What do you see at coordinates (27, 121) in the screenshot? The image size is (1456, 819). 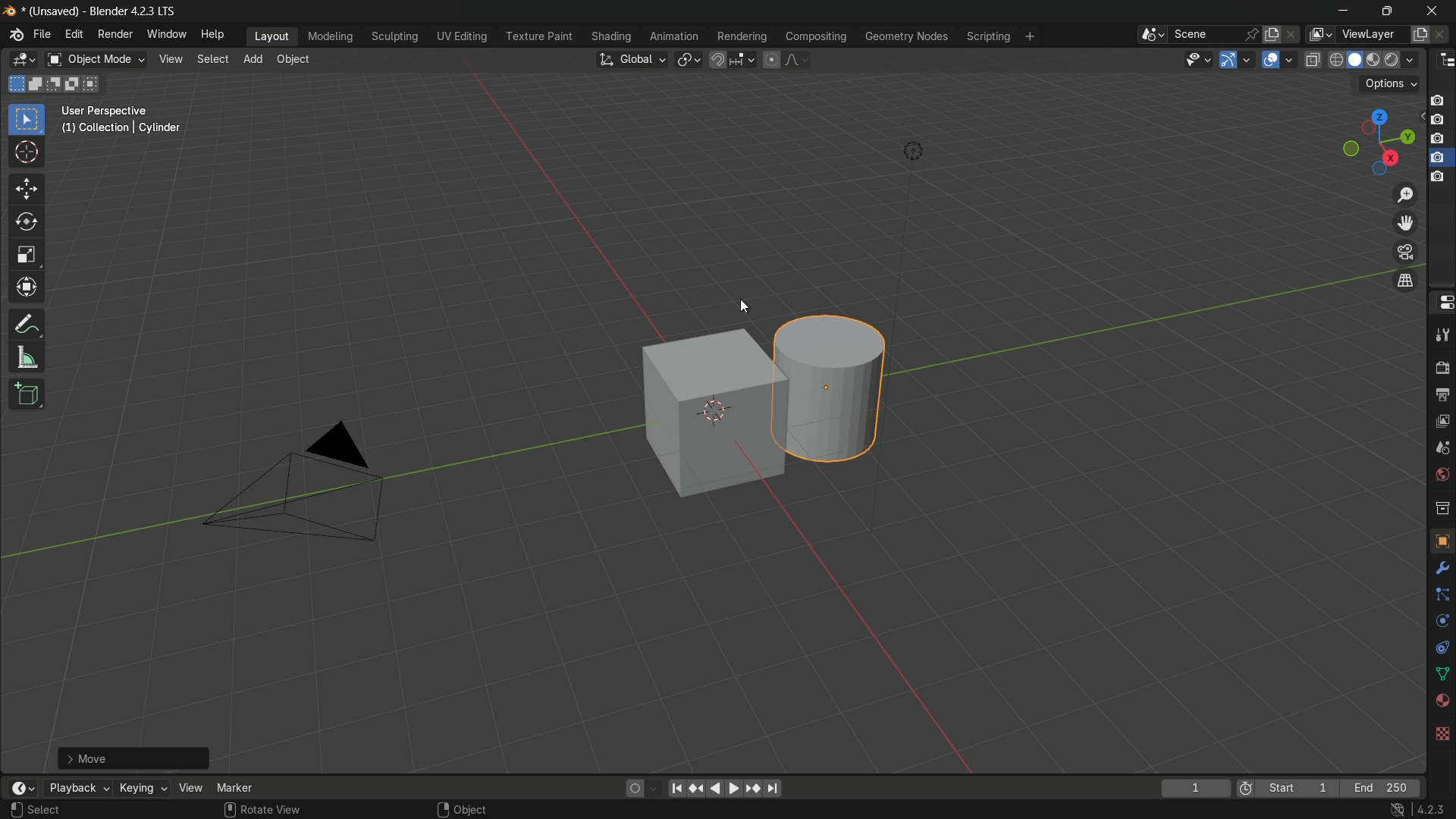 I see `select box` at bounding box center [27, 121].